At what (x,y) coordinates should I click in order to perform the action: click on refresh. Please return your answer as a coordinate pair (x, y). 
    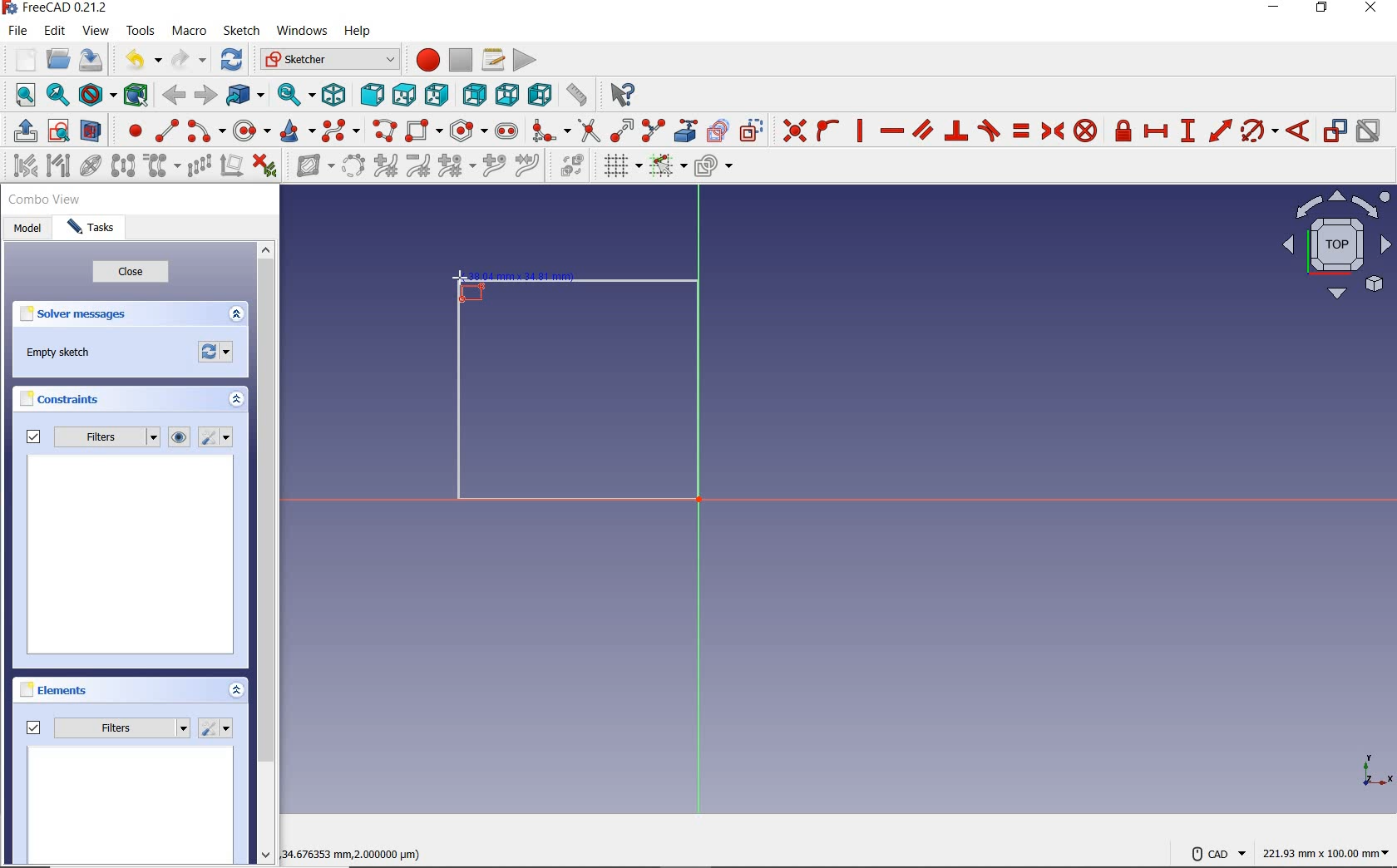
    Looking at the image, I should click on (231, 60).